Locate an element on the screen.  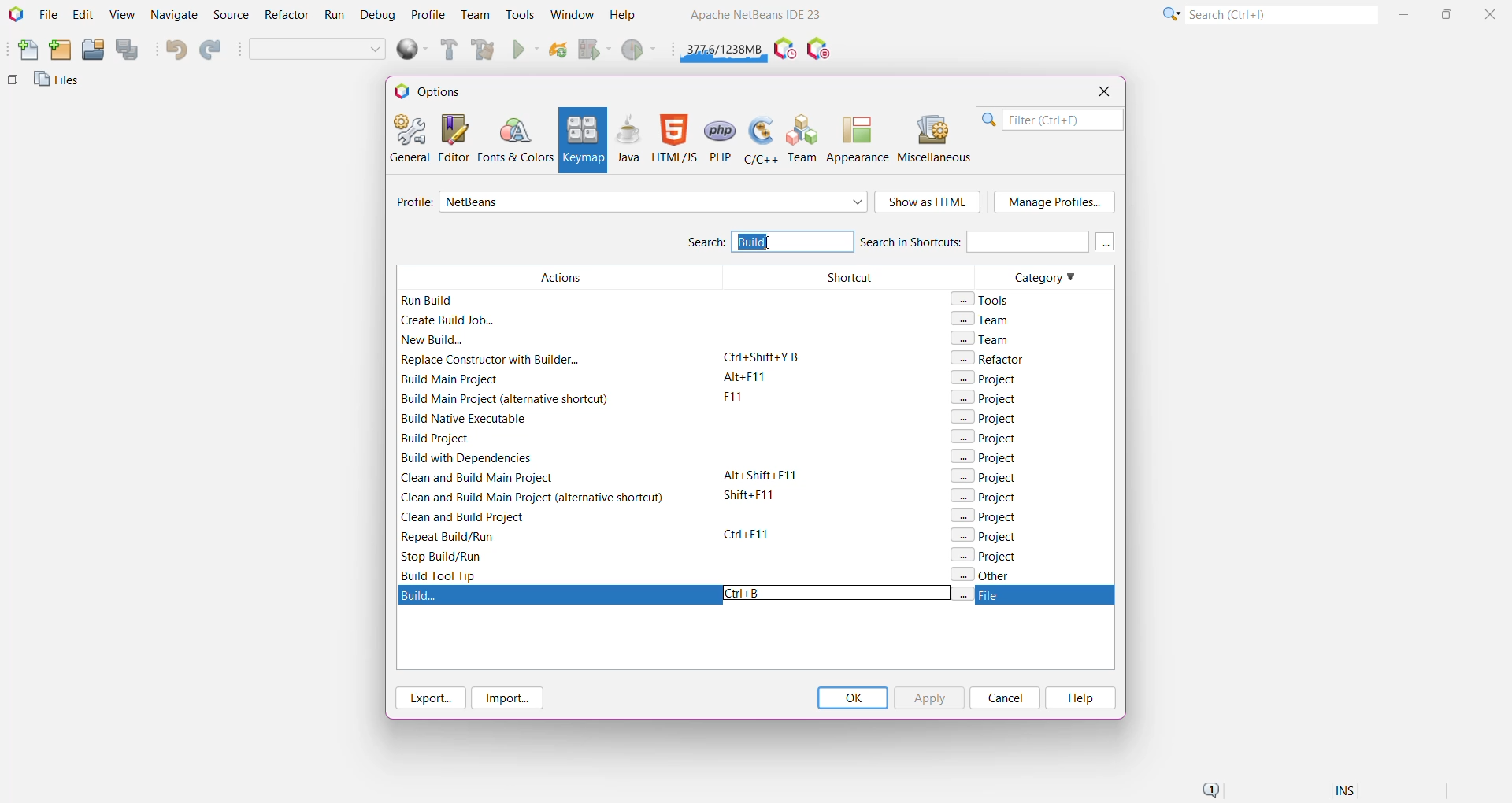
Navigate is located at coordinates (175, 16).